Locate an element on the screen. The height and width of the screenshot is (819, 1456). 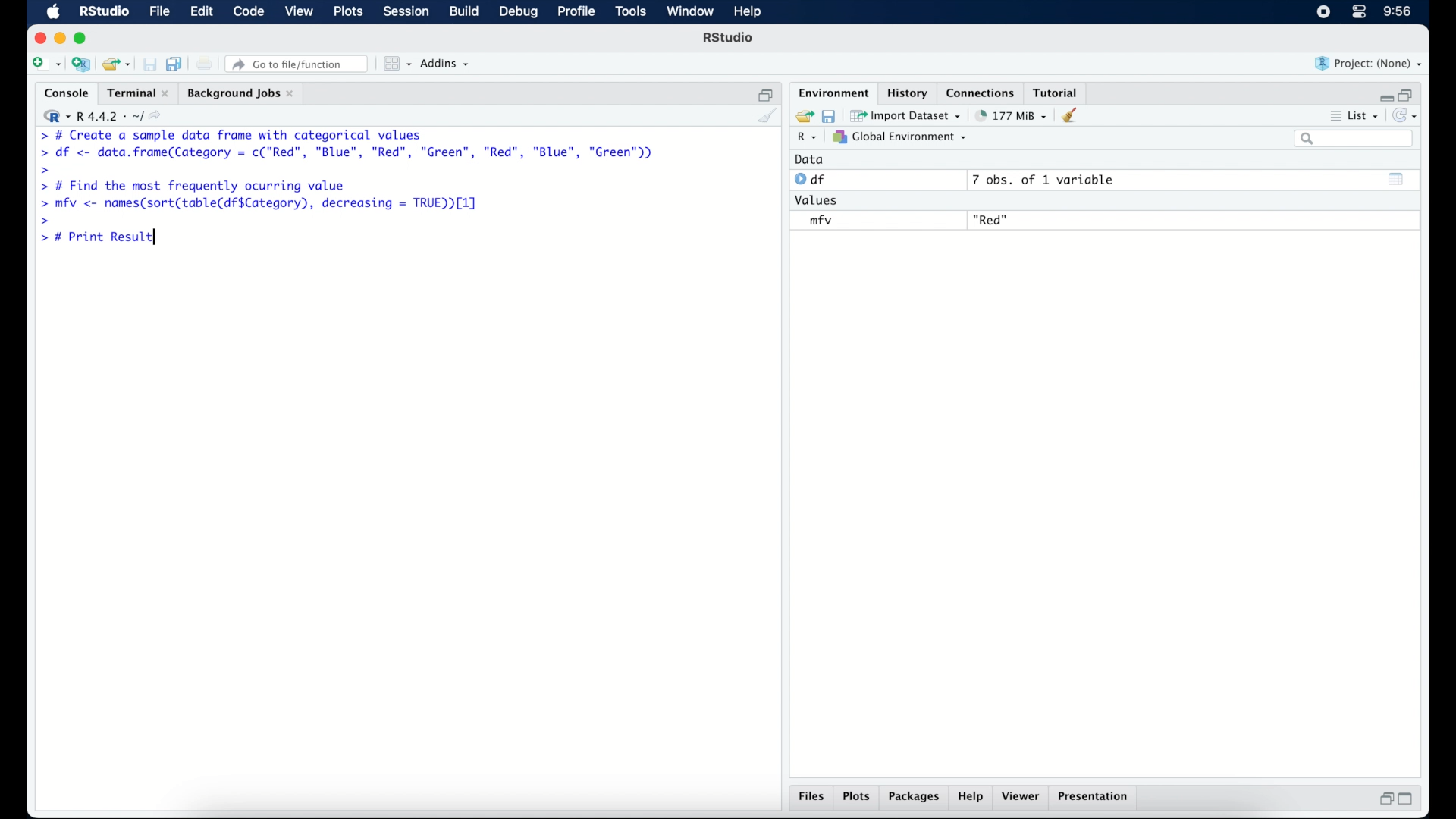
maximize is located at coordinates (1407, 801).